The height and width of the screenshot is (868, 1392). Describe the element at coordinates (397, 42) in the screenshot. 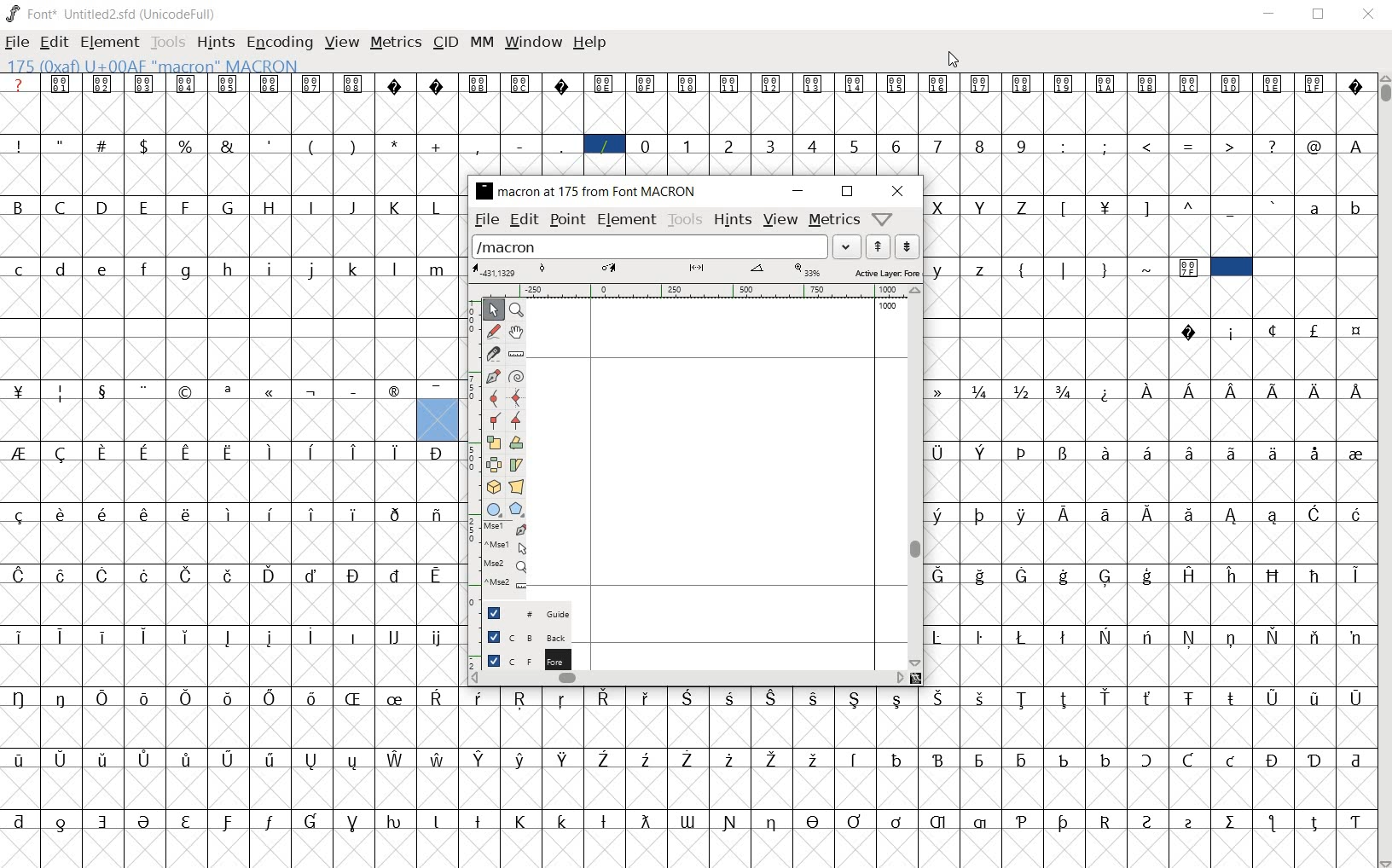

I see `metrics` at that location.